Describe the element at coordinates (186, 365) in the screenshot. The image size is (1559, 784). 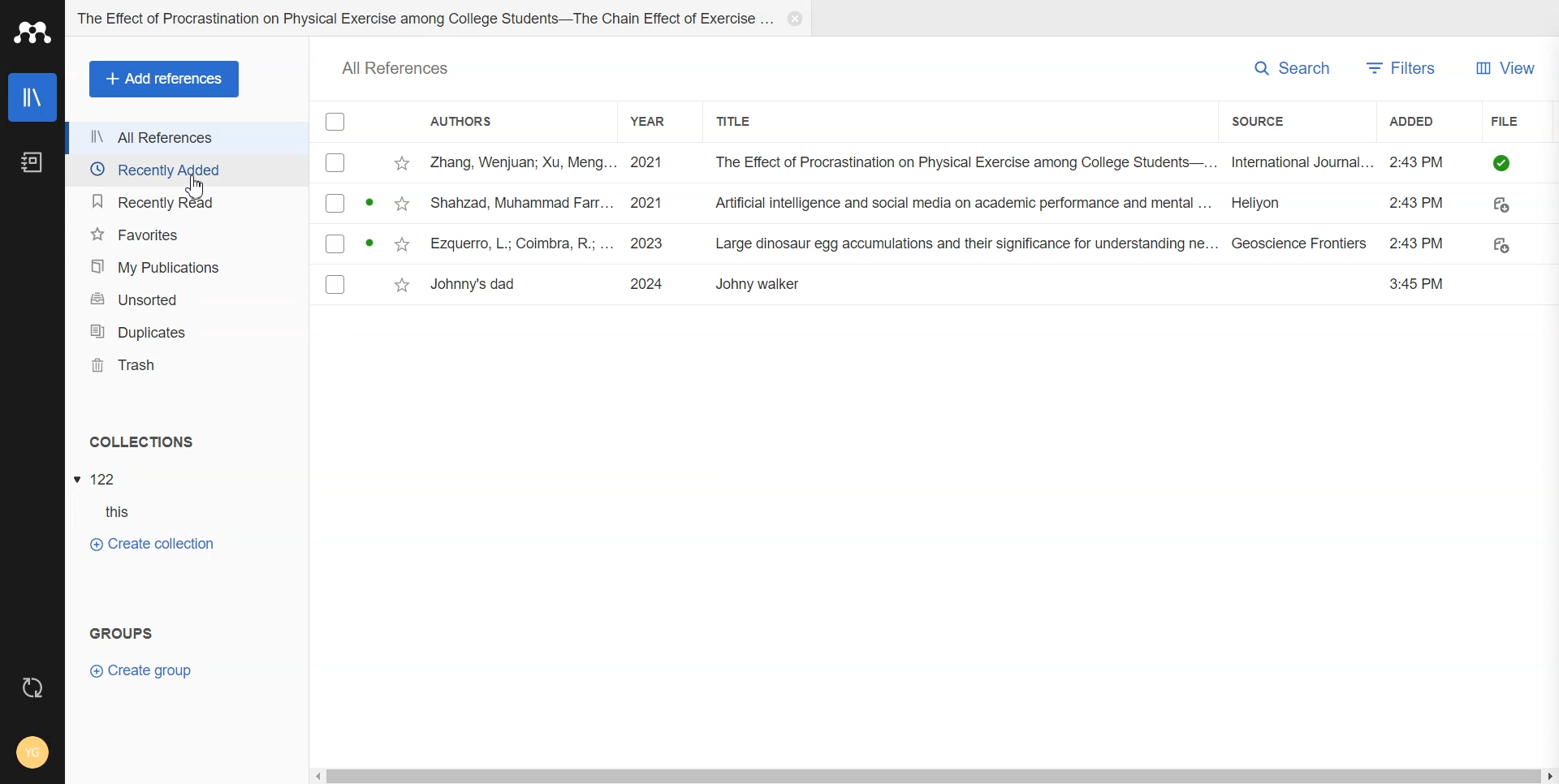
I see `Trash` at that location.